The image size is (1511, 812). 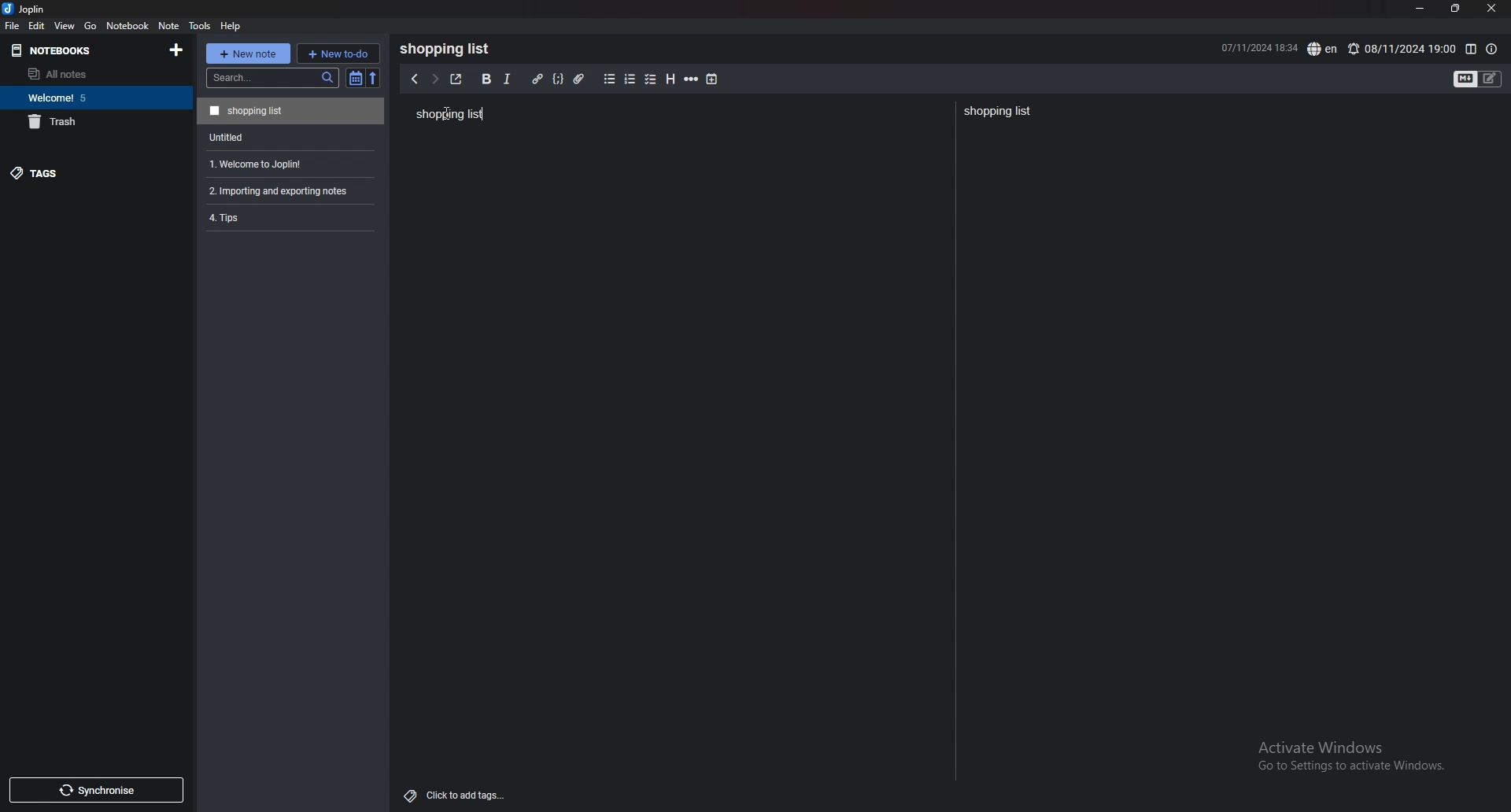 What do you see at coordinates (338, 53) in the screenshot?
I see `new todo` at bounding box center [338, 53].